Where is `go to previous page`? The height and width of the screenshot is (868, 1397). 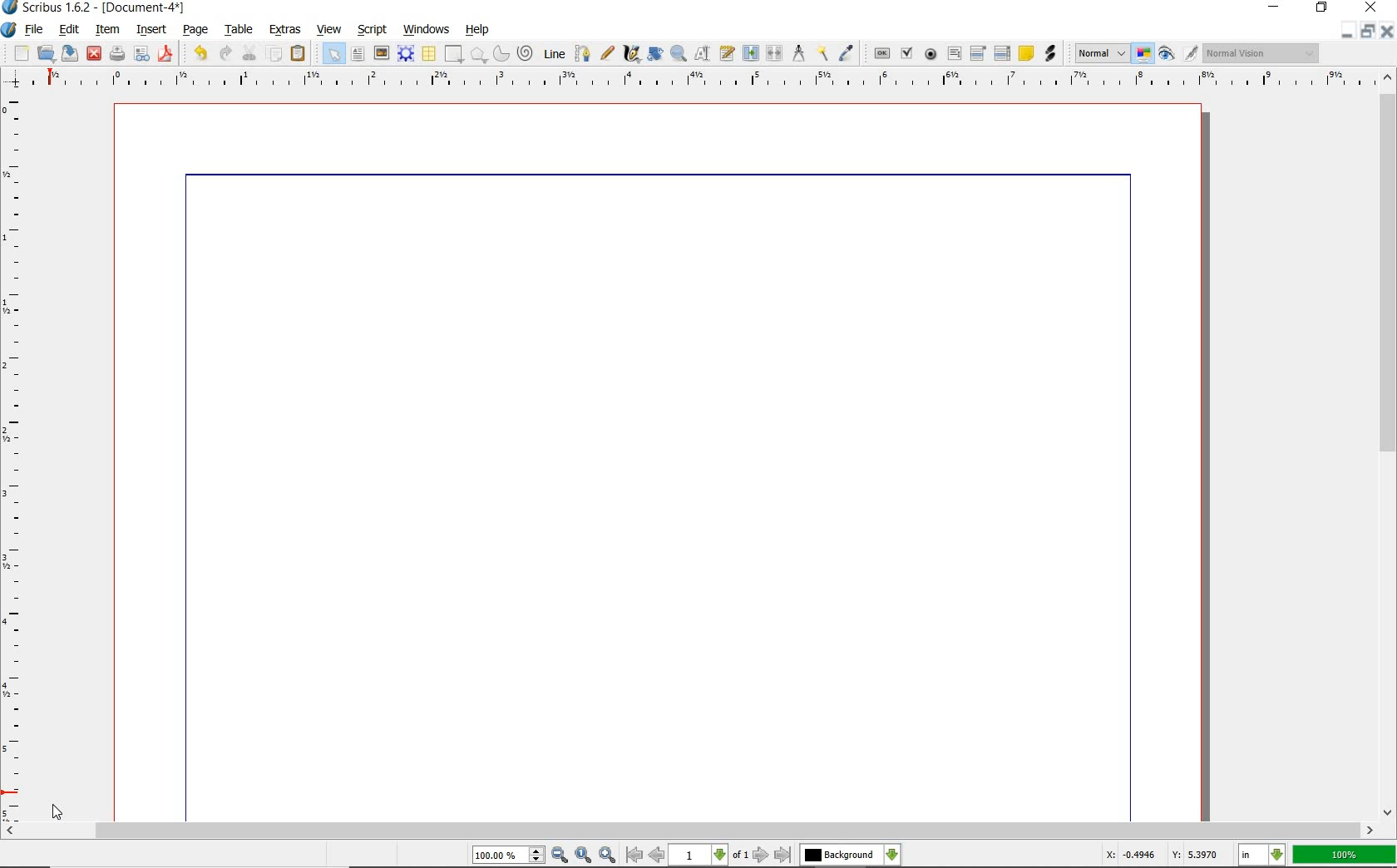 go to previous page is located at coordinates (659, 856).